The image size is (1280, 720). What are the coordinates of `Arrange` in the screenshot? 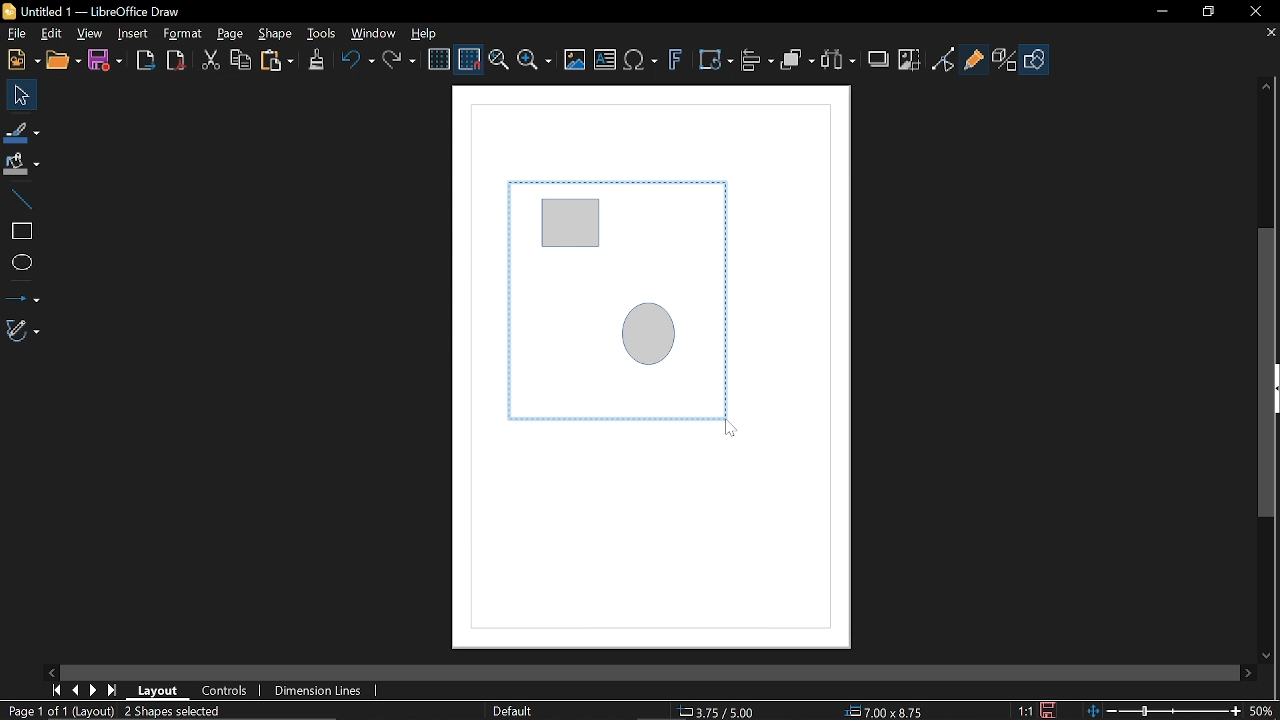 It's located at (799, 61).